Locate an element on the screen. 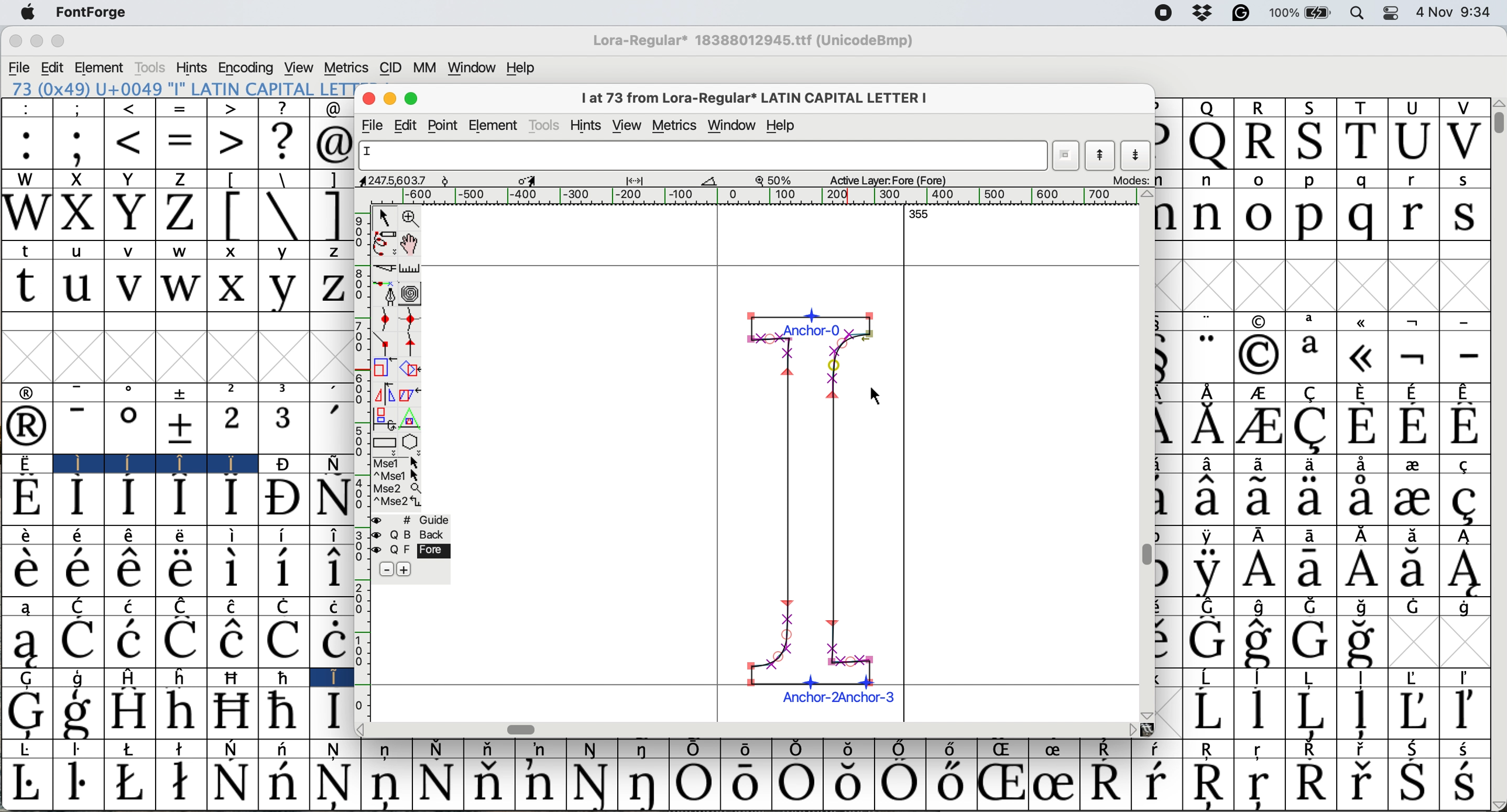  = is located at coordinates (181, 145).